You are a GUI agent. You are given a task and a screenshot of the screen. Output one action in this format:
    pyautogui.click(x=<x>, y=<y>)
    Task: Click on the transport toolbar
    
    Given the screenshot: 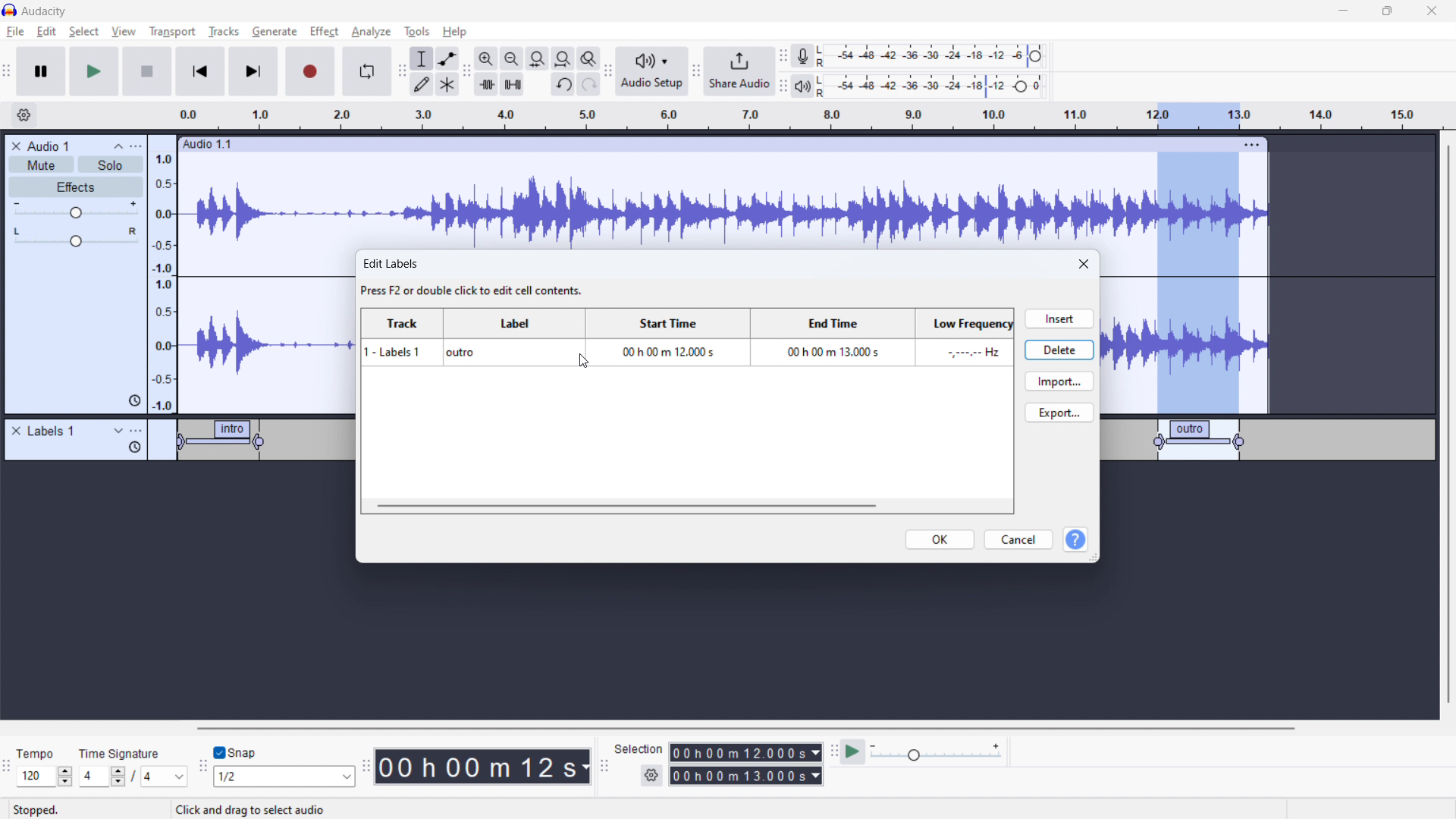 What is the action you would take?
    pyautogui.click(x=8, y=74)
    